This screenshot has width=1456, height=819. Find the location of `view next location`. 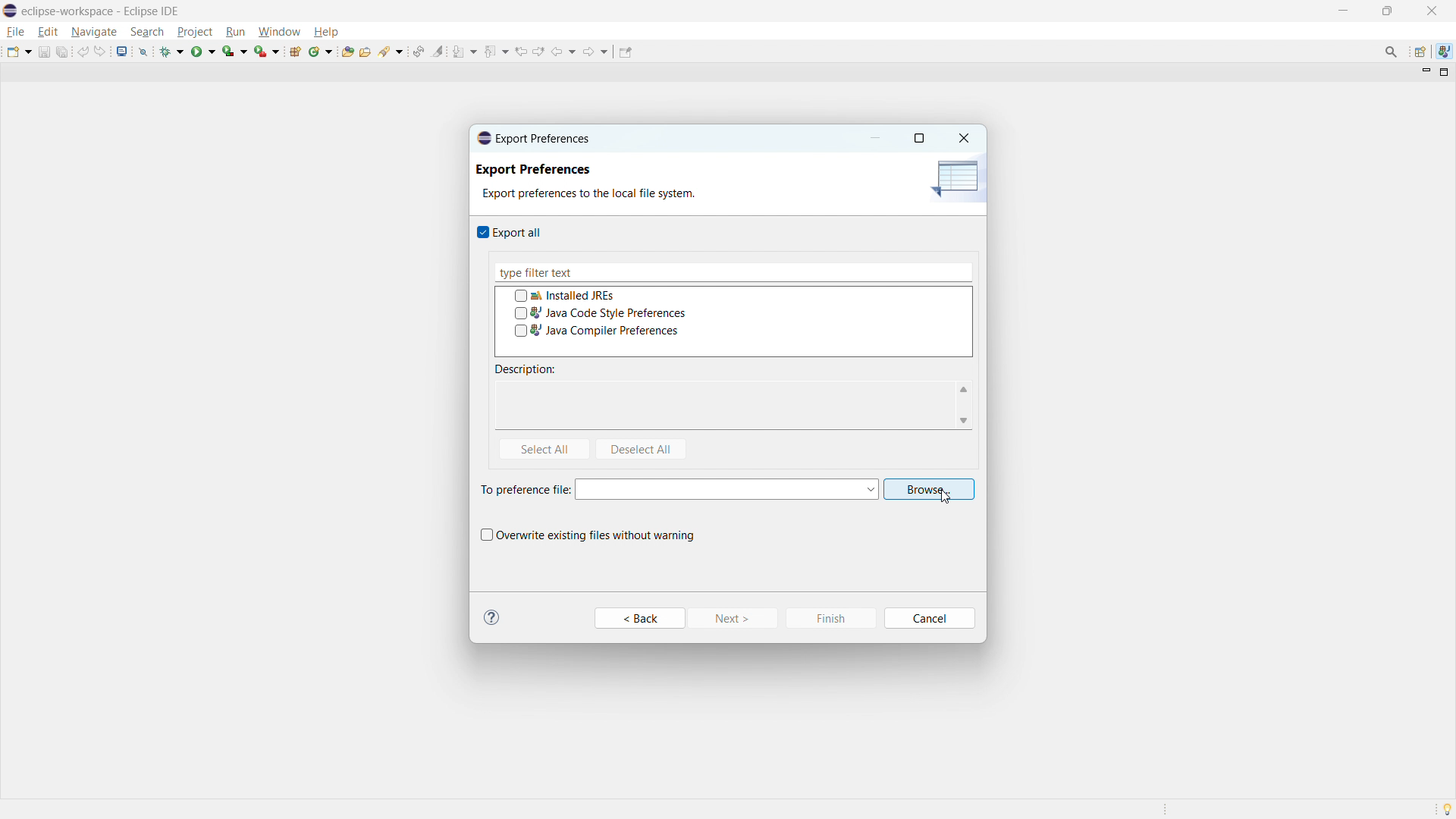

view next location is located at coordinates (539, 51).